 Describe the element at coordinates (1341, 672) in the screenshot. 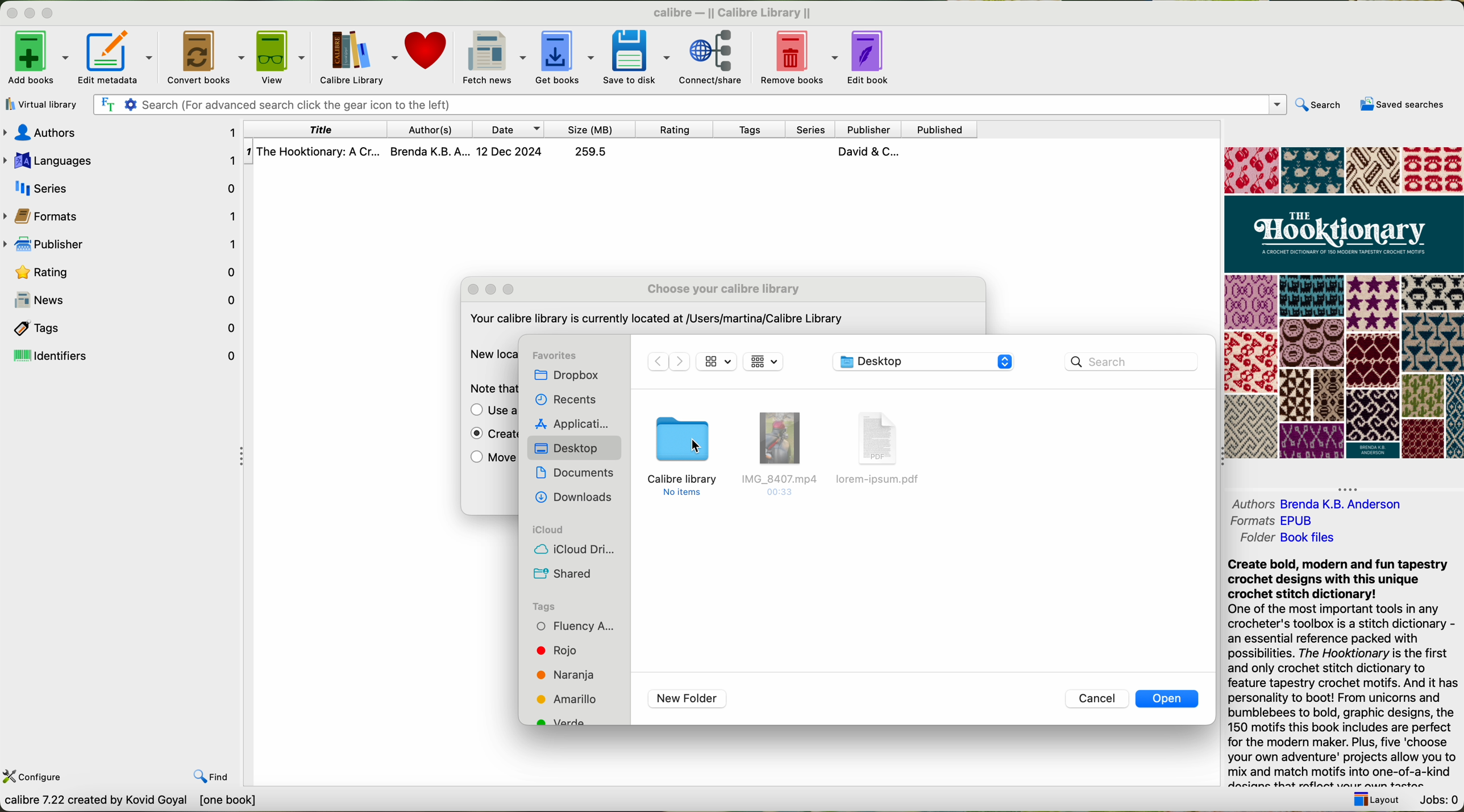

I see `Create bold, modern and fun tapestrycrochet designs with this uniquecrochet stitch dictionary!One of the most important tools in anycrocheter's toolbox is a stitch dictionary -an essential reference packed withpossibilities. The Hooktionary is the firstand only crochet stitch dictionary tofeature tapestry crochet motifs. And it haspersonality to boot! From unicorns andbumblebees to bold, graphic designs, the150 motifs this book includes are perfectfor the modern maker. Plus, five ‘chooseyour own adventure' projects allow you tomix and match motifs into one-of-a-kind` at that location.